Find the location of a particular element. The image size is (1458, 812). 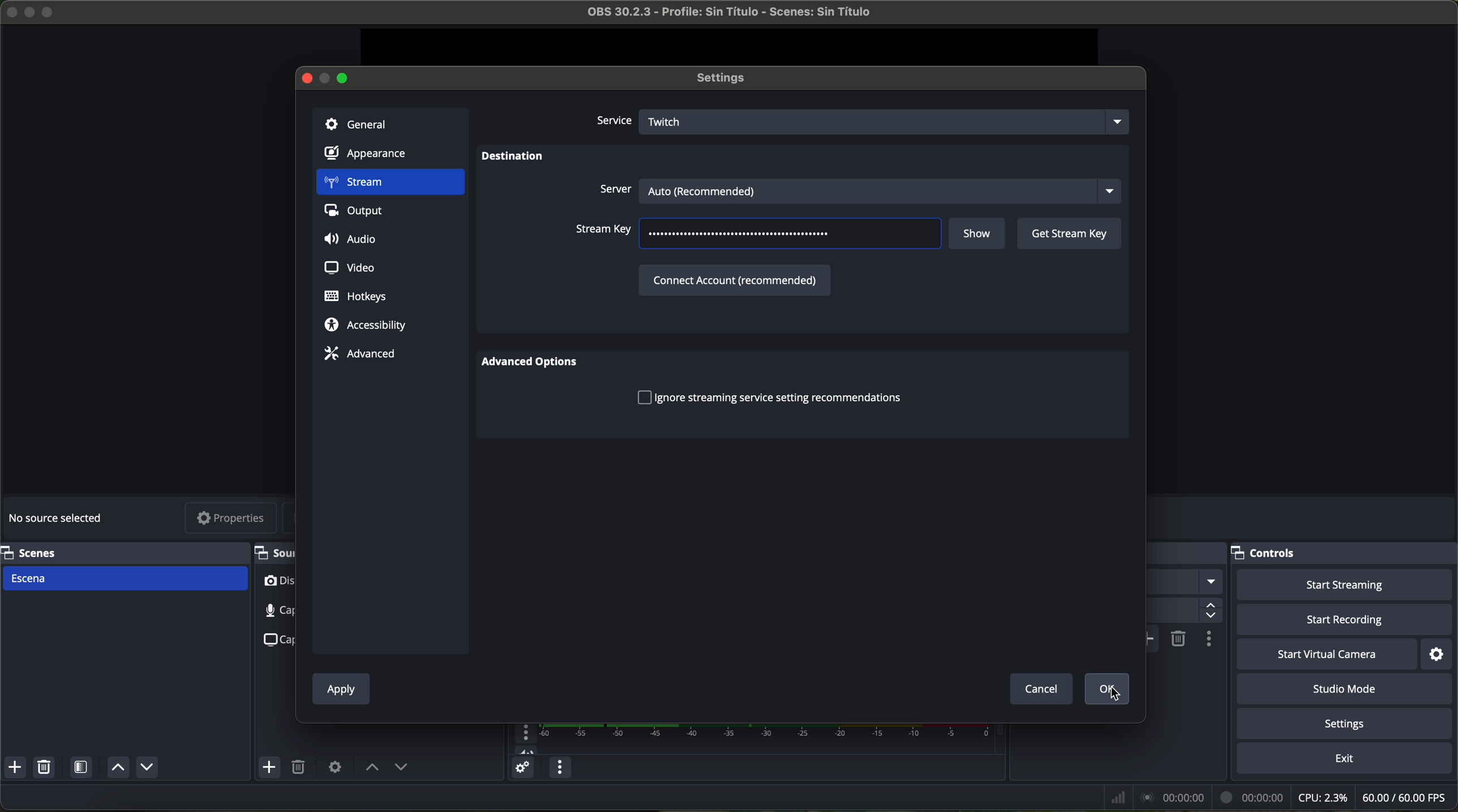

settings is located at coordinates (1347, 725).